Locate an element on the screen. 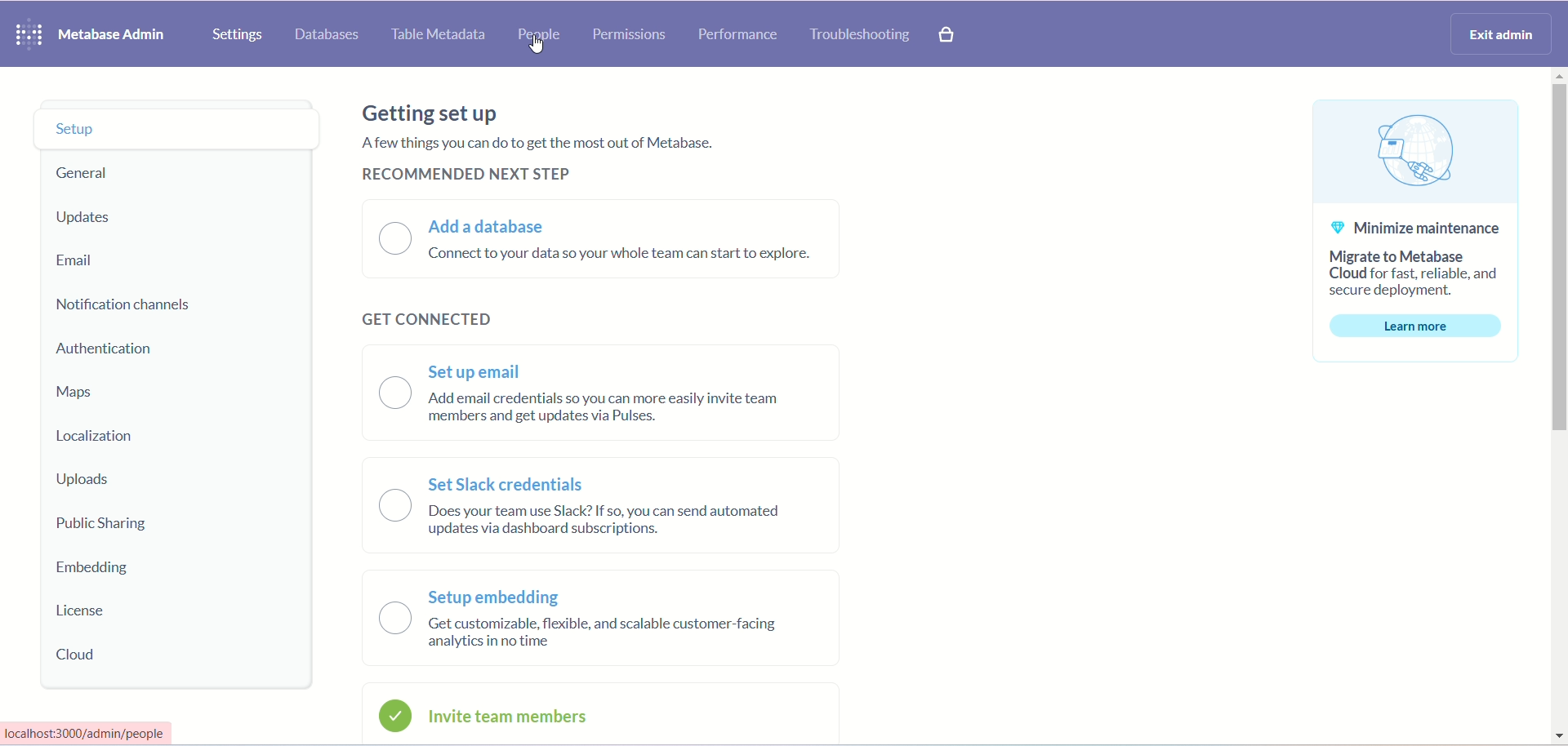 The width and height of the screenshot is (1568, 746). text is located at coordinates (1395, 231).